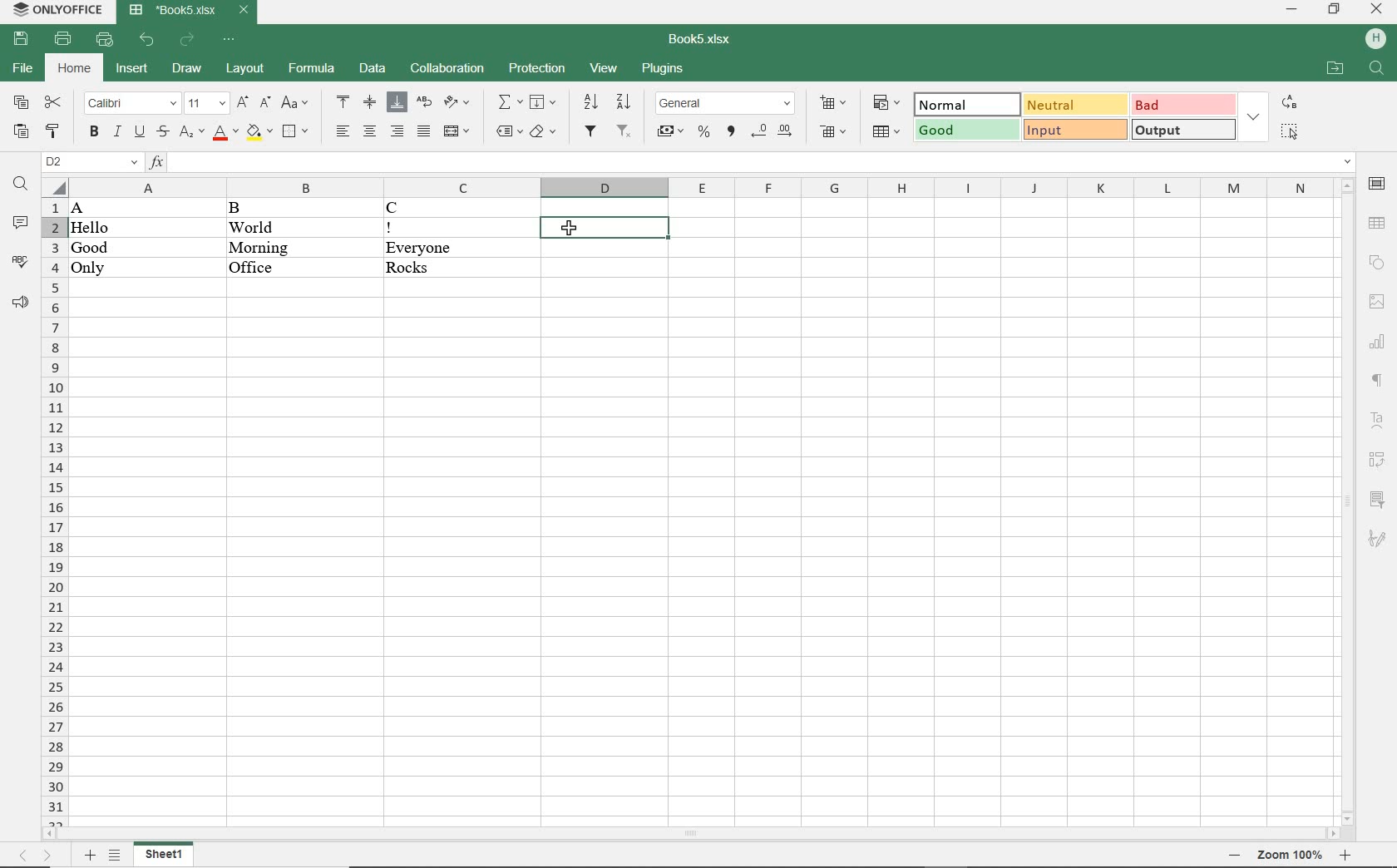  Describe the element at coordinates (1377, 418) in the screenshot. I see `TEXT ART` at that location.